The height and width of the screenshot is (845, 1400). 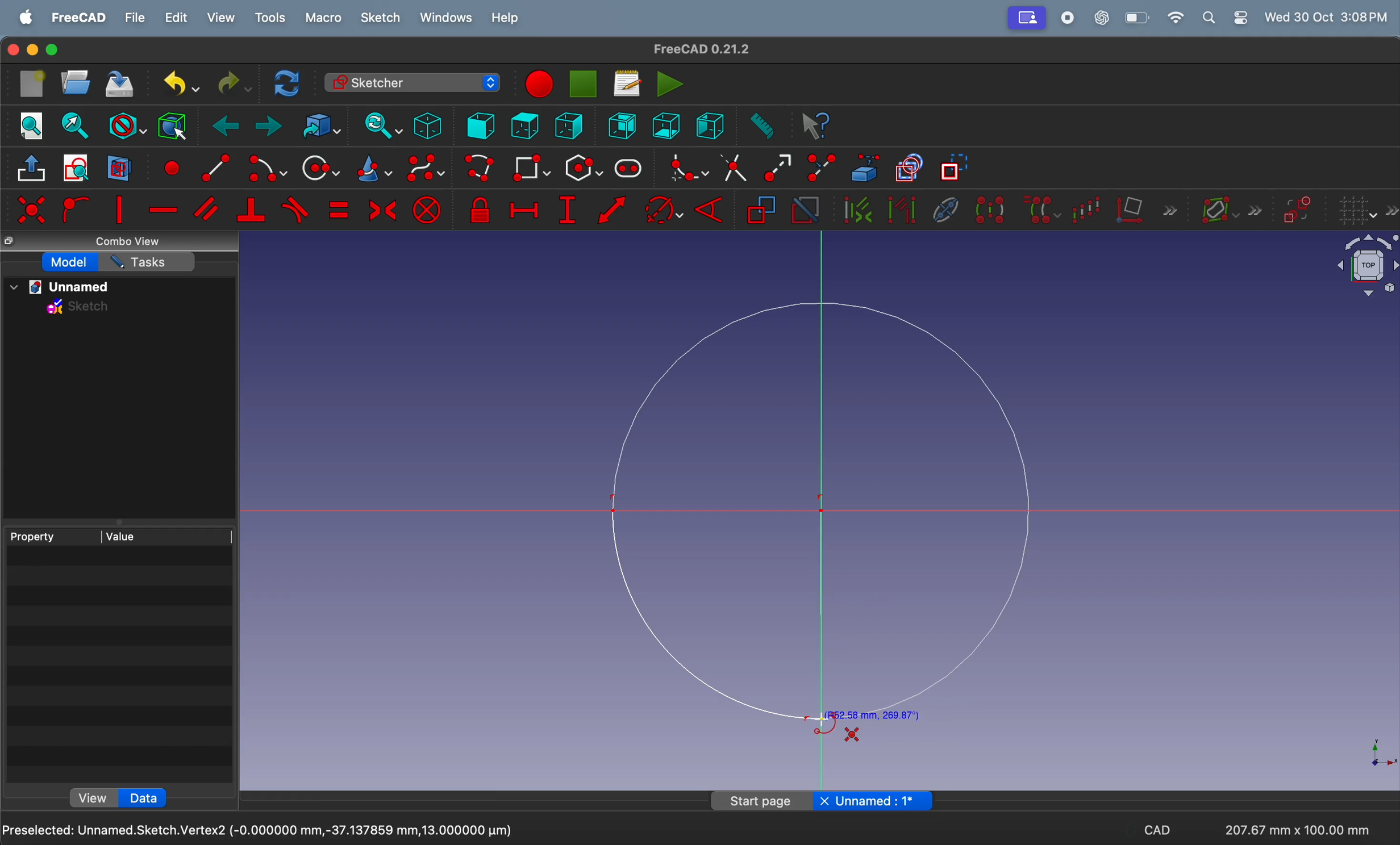 What do you see at coordinates (505, 20) in the screenshot?
I see `help` at bounding box center [505, 20].